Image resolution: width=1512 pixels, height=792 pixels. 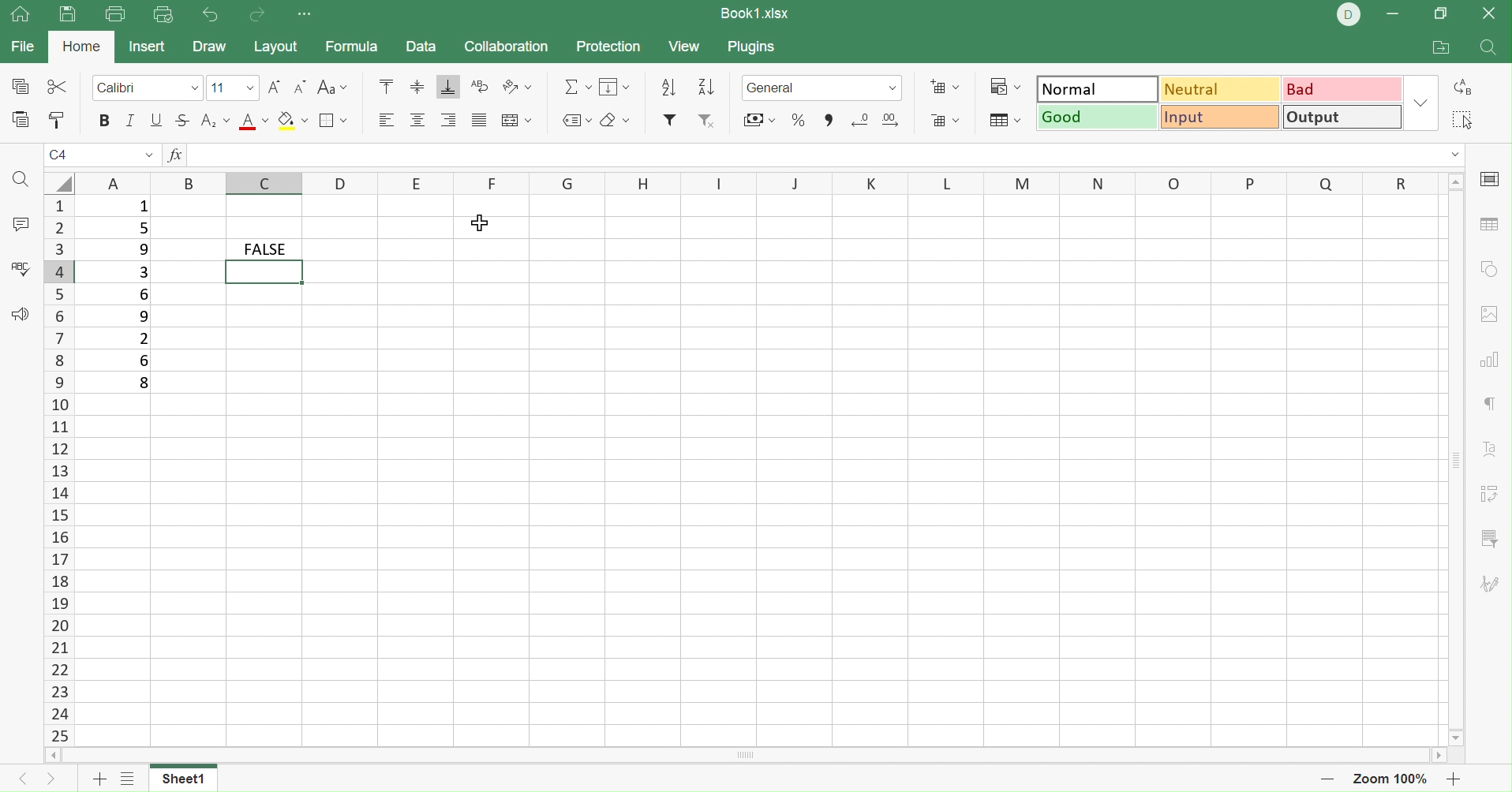 What do you see at coordinates (196, 156) in the screenshot?
I see `1` at bounding box center [196, 156].